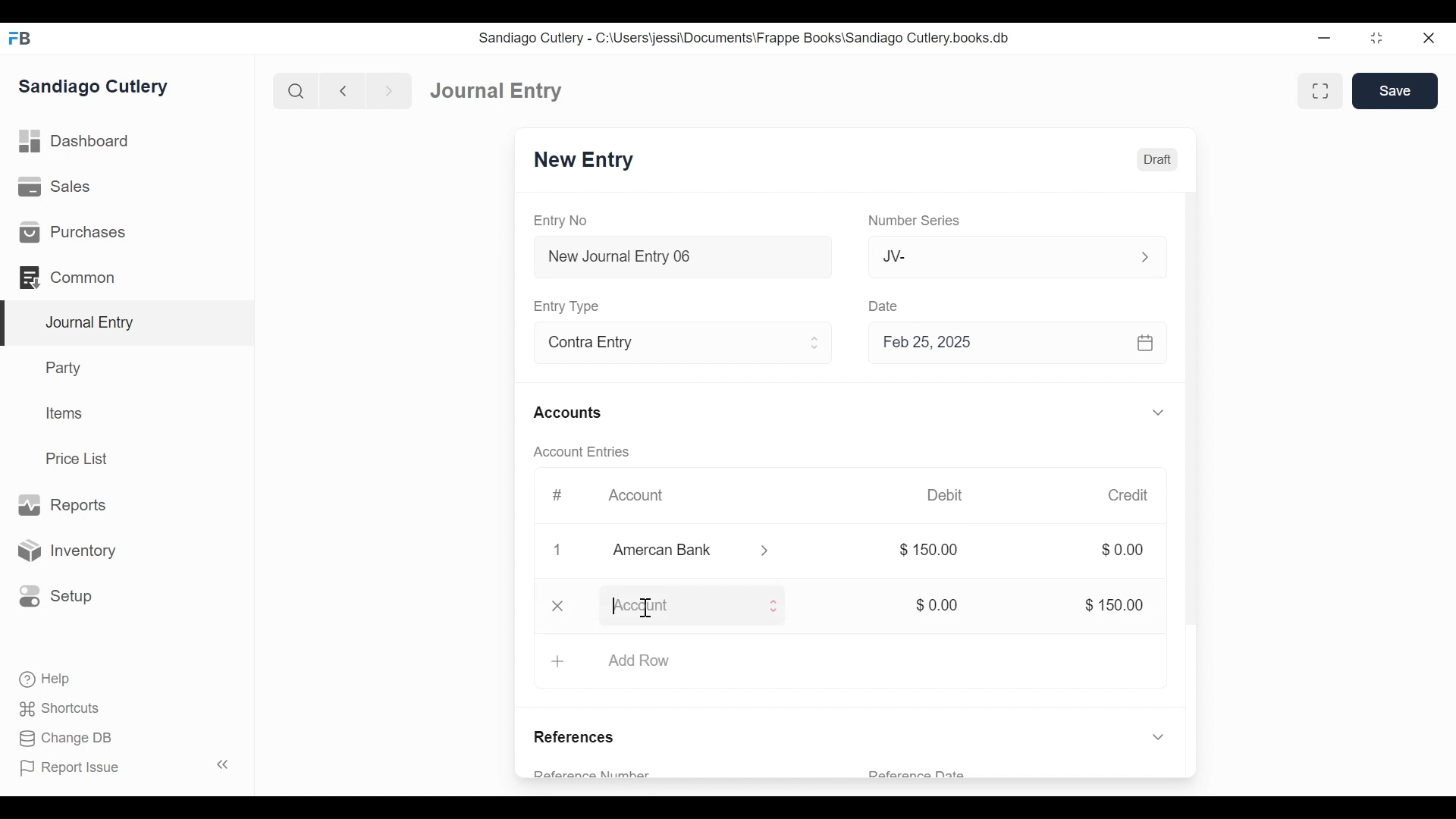  What do you see at coordinates (884, 305) in the screenshot?
I see `Date` at bounding box center [884, 305].